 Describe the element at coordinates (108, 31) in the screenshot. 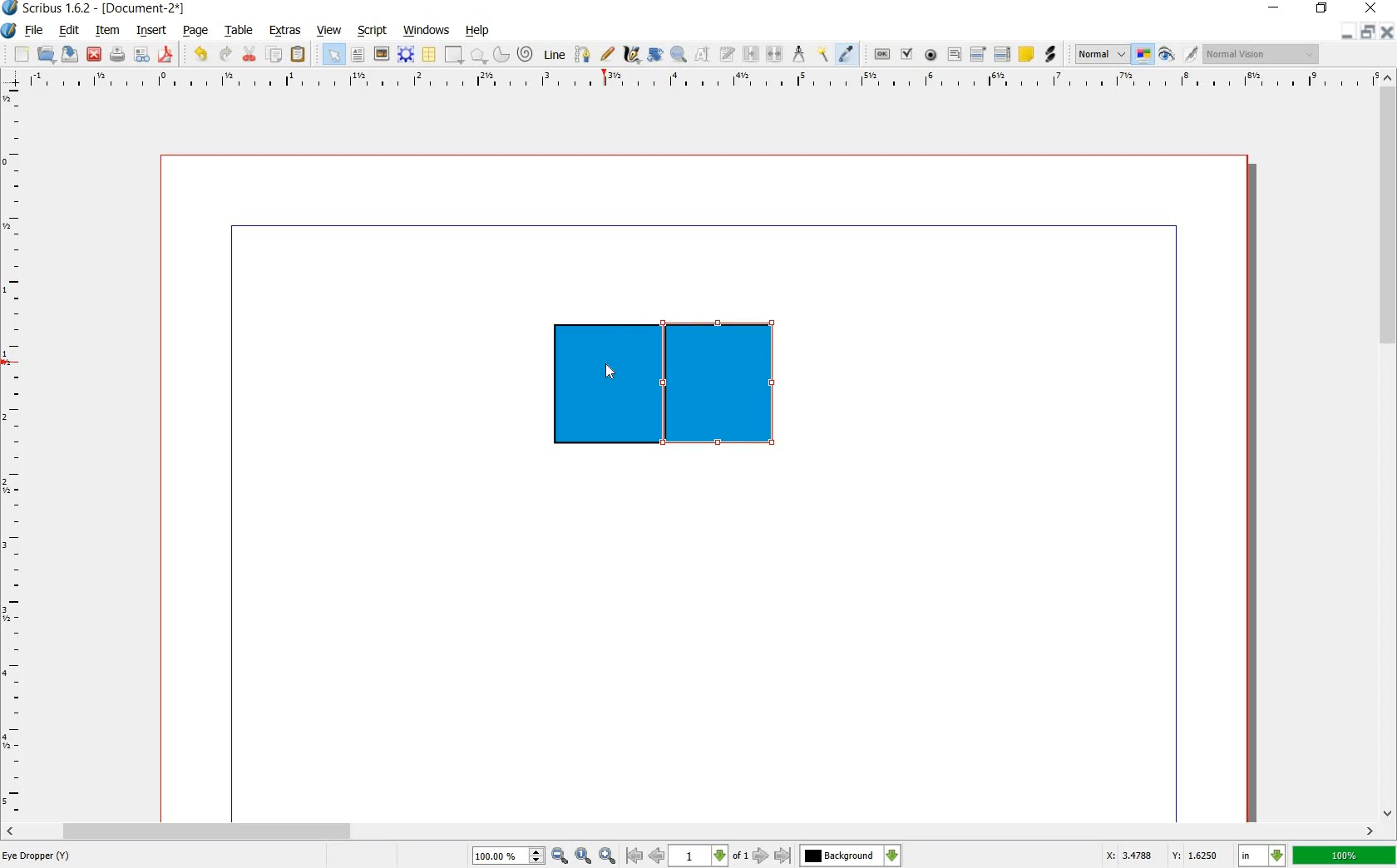

I see `item` at that location.